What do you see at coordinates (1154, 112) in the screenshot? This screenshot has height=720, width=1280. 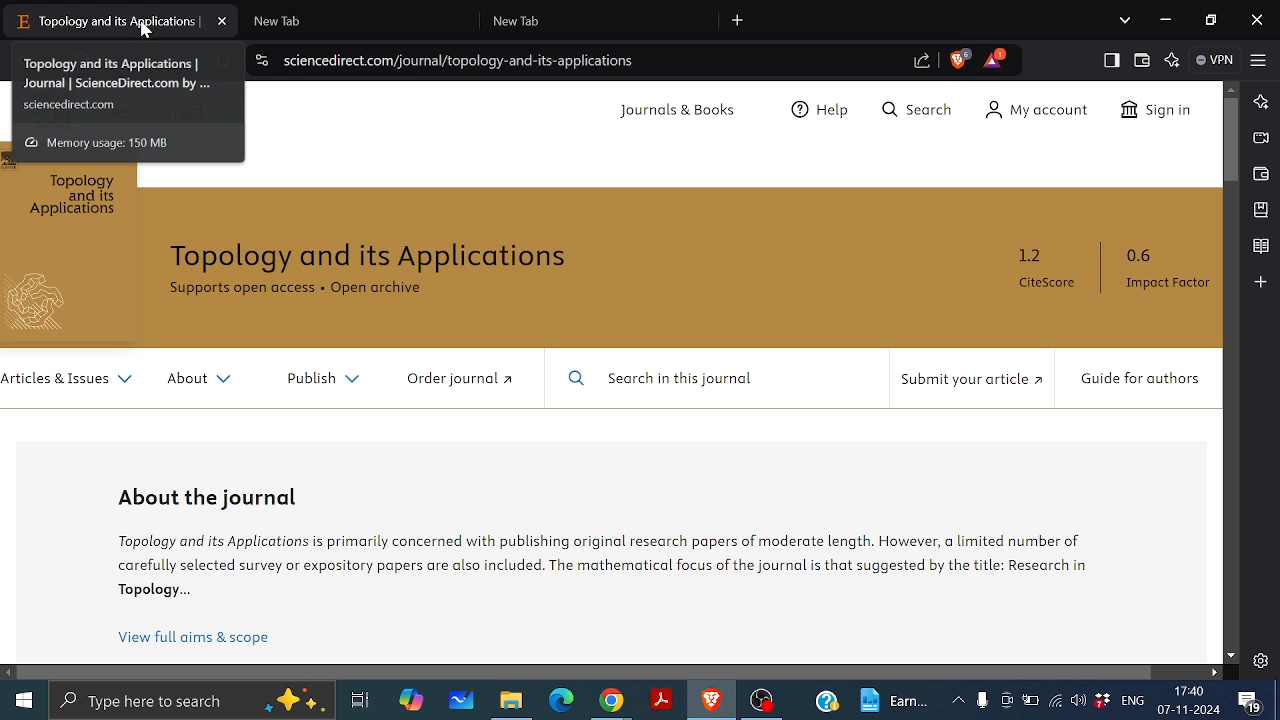 I see `fR signin` at bounding box center [1154, 112].